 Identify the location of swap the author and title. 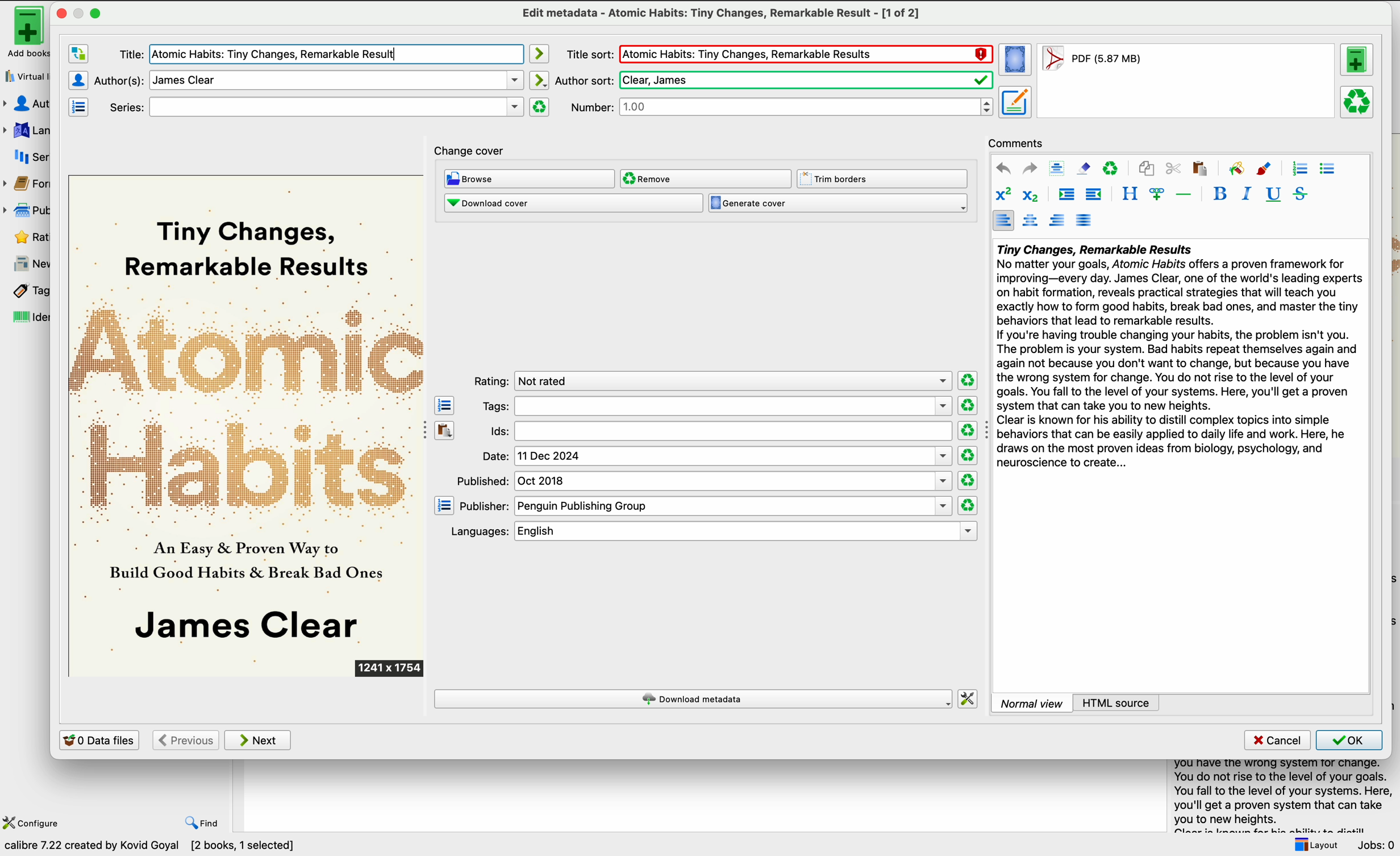
(78, 55).